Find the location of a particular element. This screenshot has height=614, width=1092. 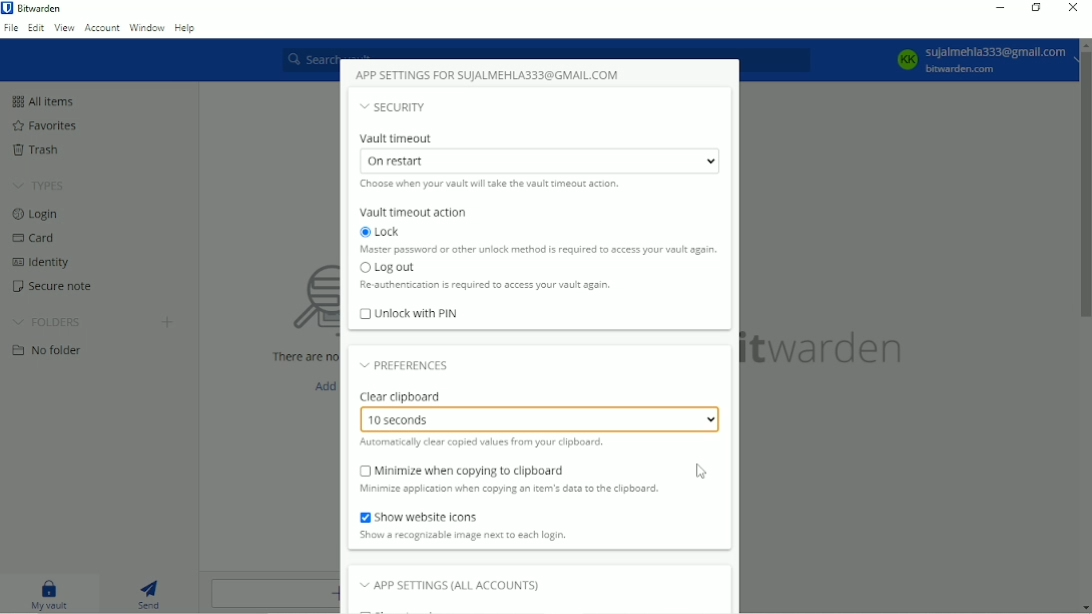

Lock is located at coordinates (540, 240).